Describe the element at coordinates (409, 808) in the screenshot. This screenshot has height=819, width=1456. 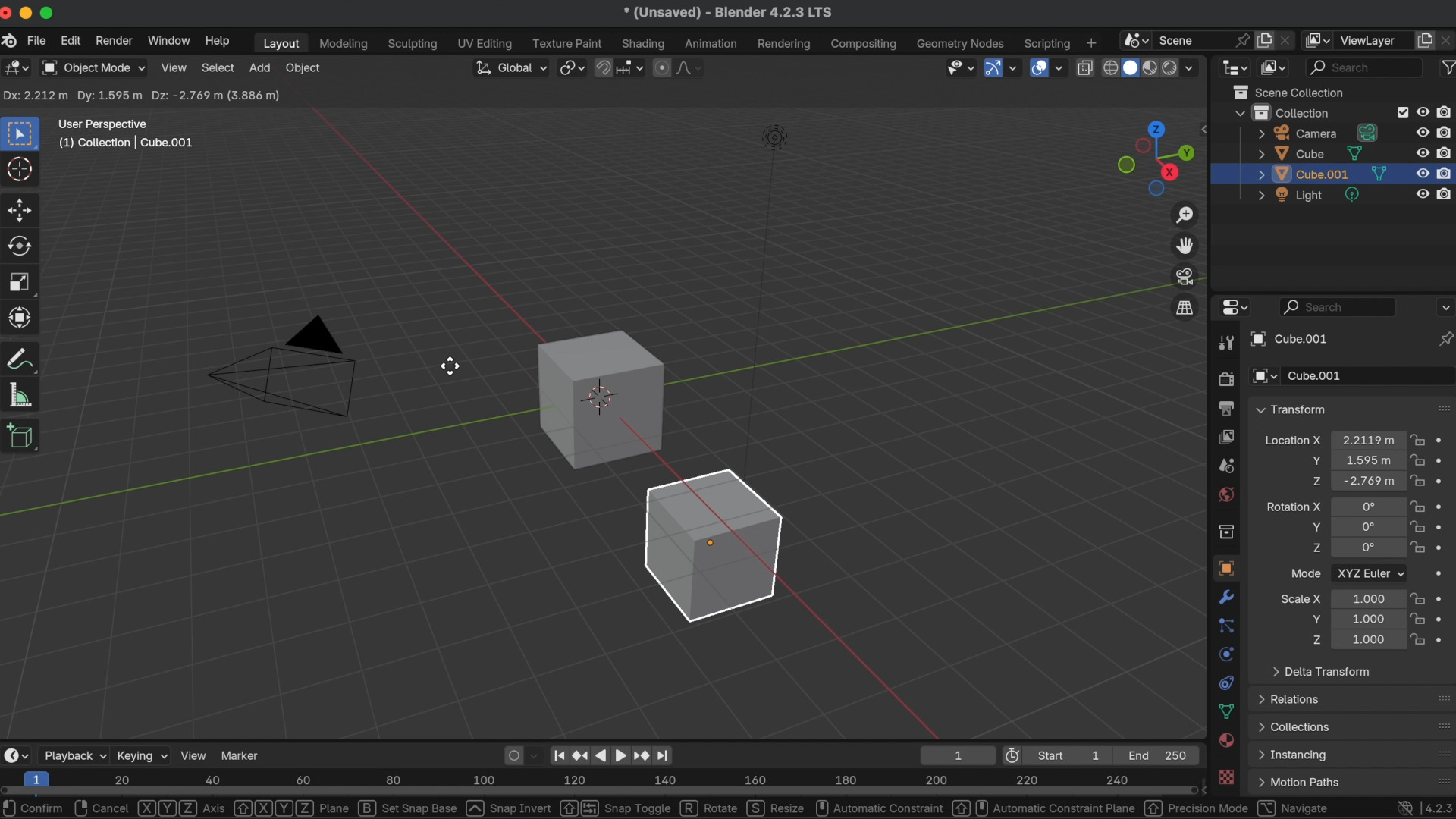
I see `Set Snap Base` at that location.